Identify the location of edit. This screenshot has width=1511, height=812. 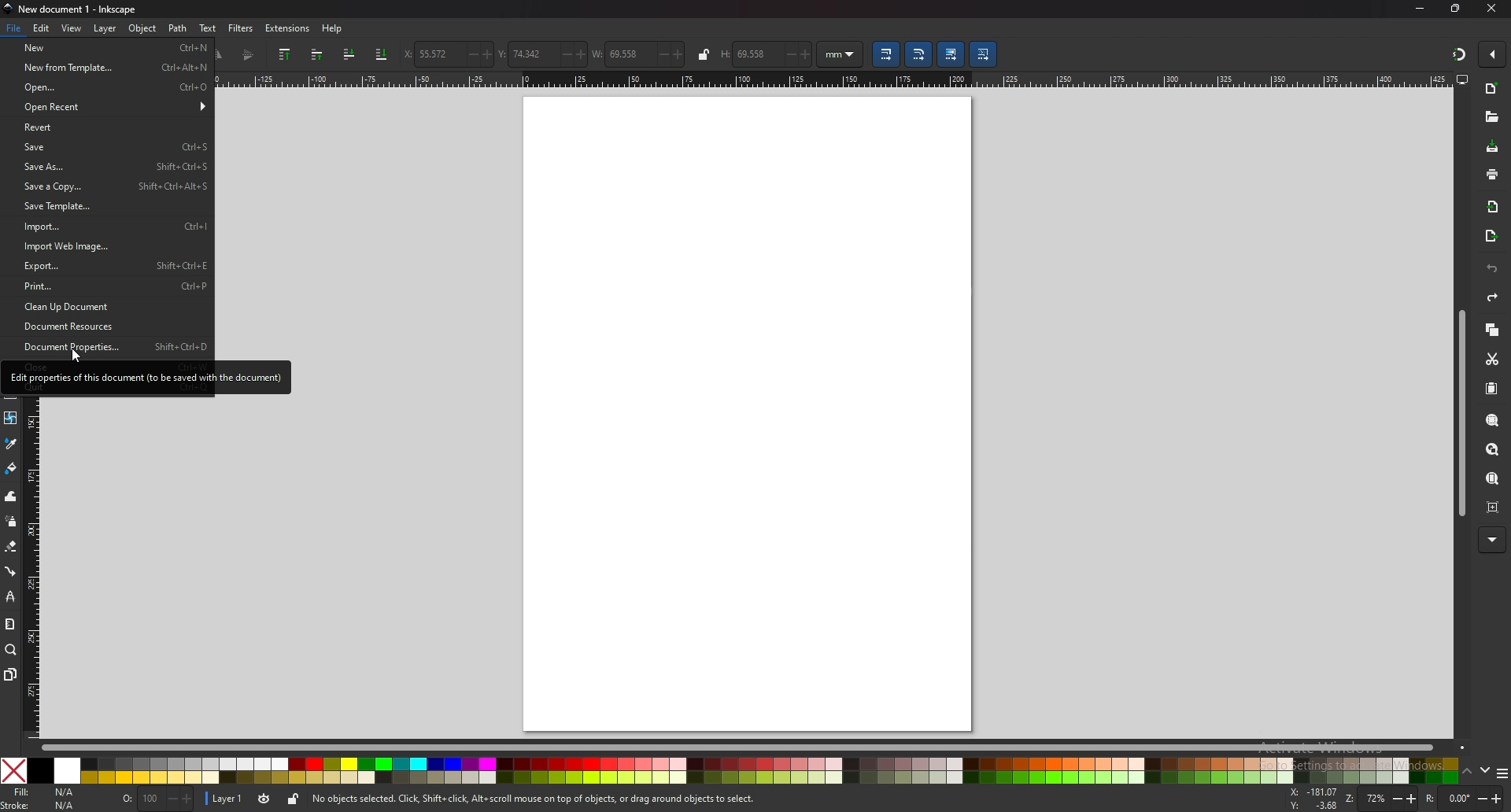
(40, 28).